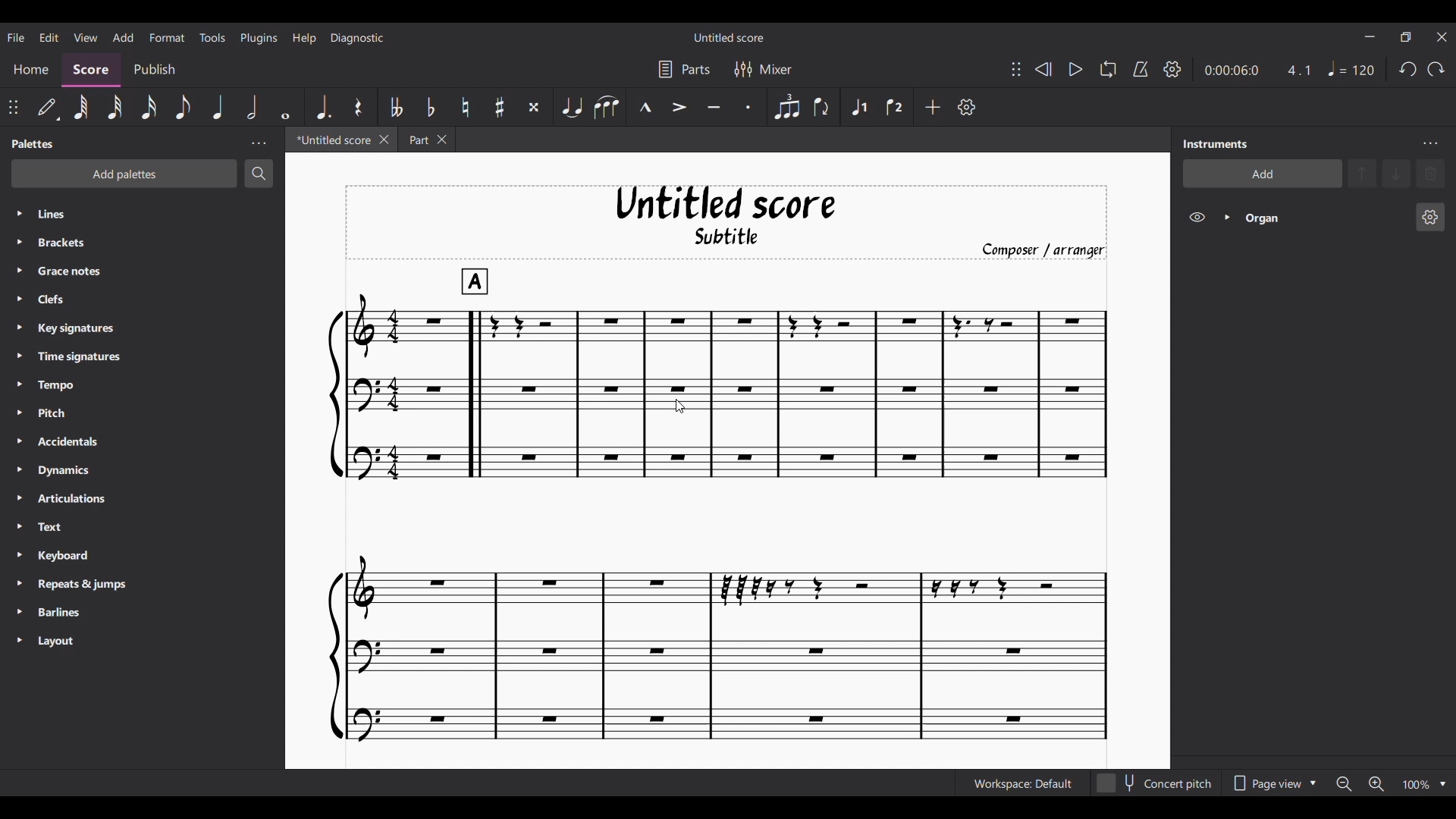  What do you see at coordinates (1141, 69) in the screenshot?
I see `Metronome` at bounding box center [1141, 69].